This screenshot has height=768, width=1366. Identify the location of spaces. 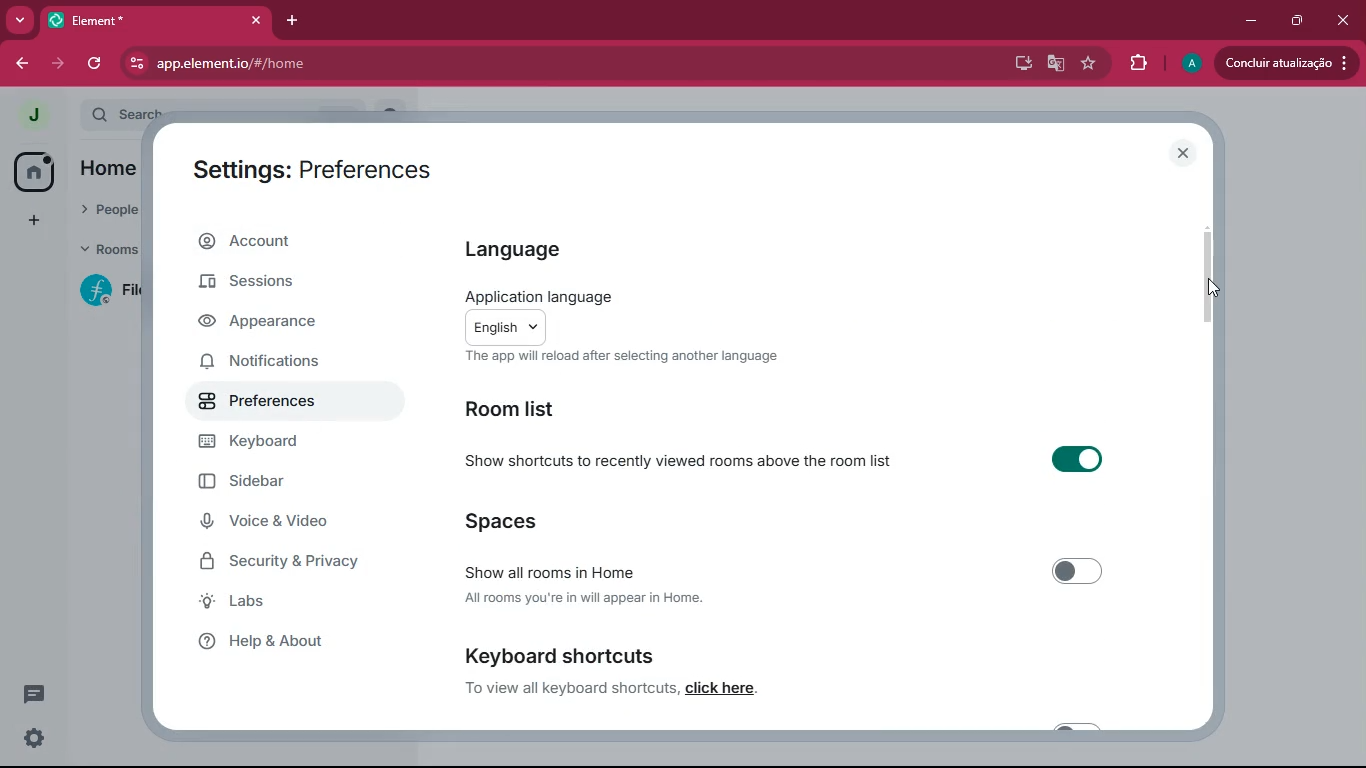
(530, 522).